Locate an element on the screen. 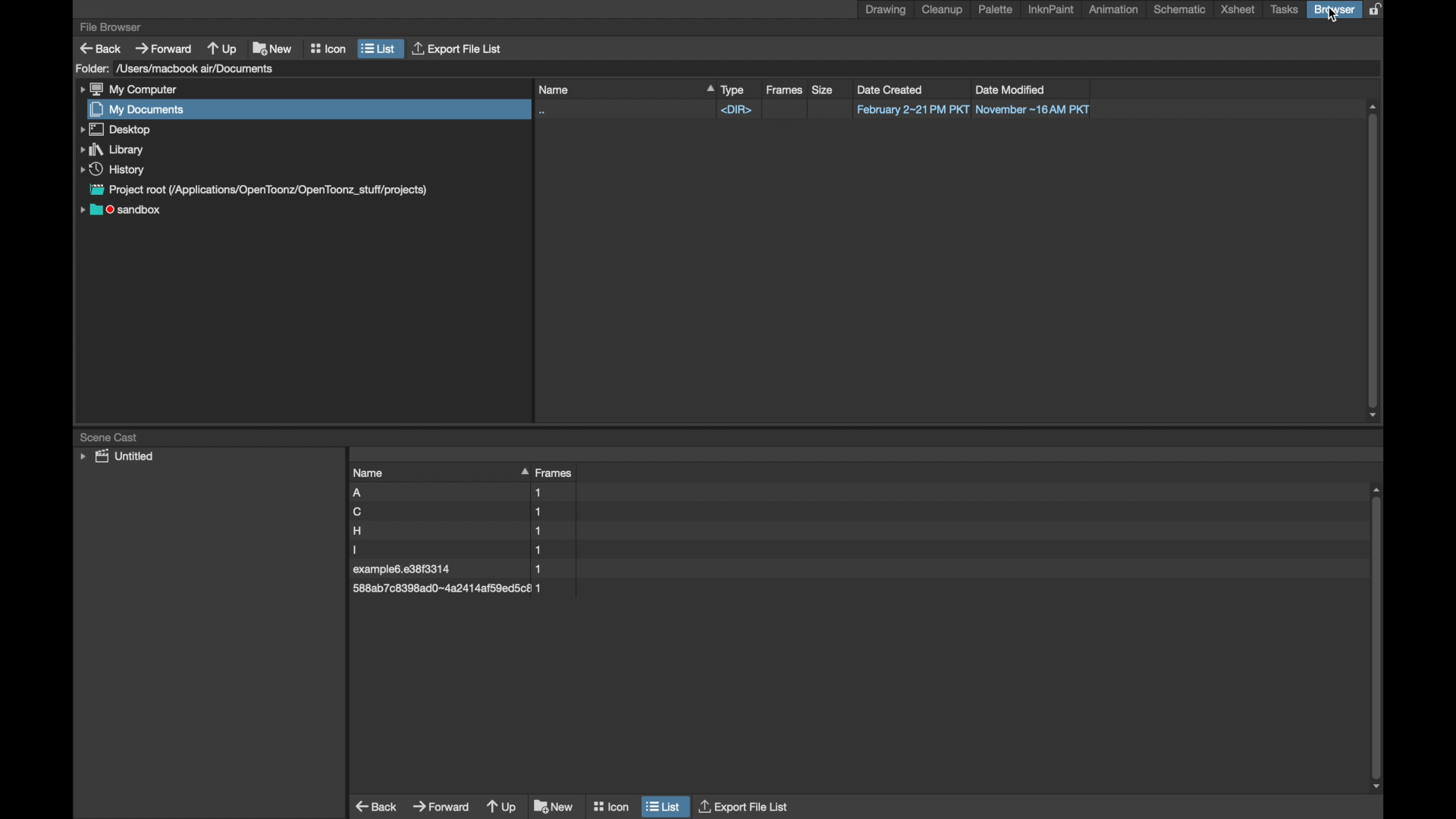 The height and width of the screenshot is (819, 1456). up is located at coordinates (222, 48).